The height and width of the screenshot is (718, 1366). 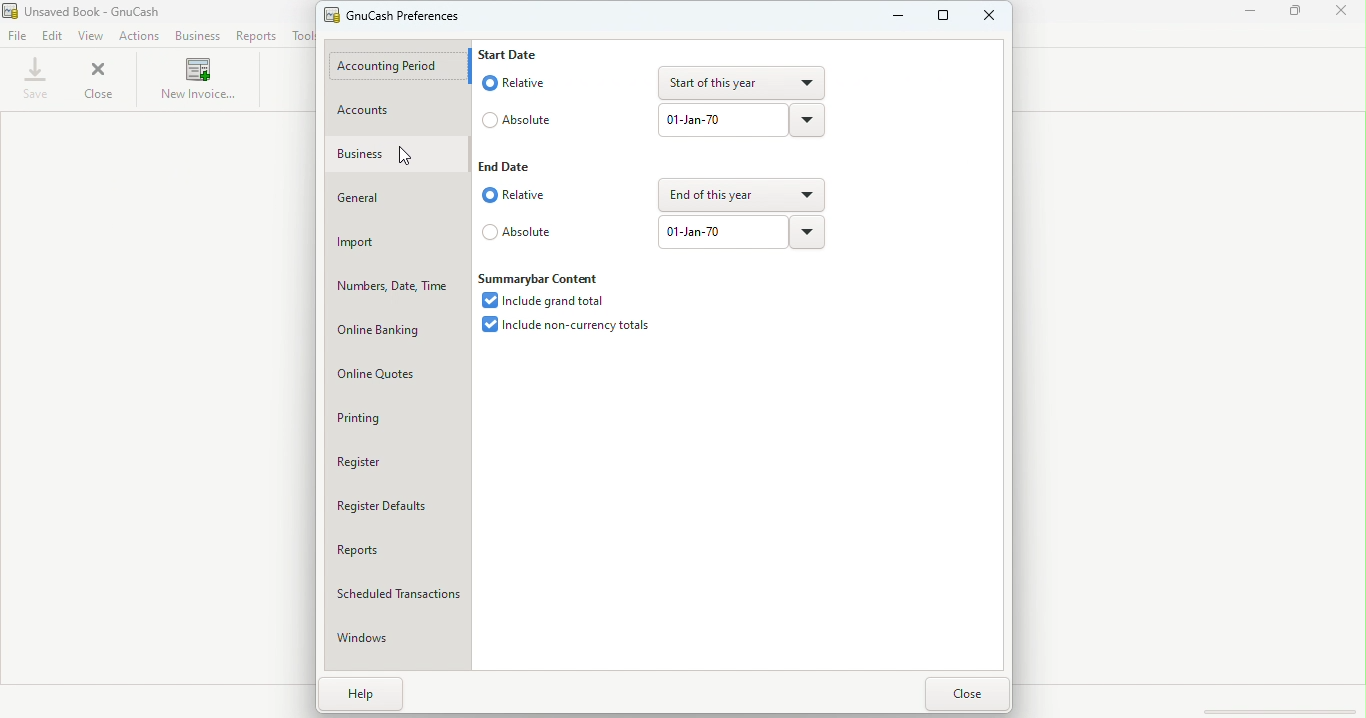 What do you see at coordinates (993, 22) in the screenshot?
I see `Close` at bounding box center [993, 22].